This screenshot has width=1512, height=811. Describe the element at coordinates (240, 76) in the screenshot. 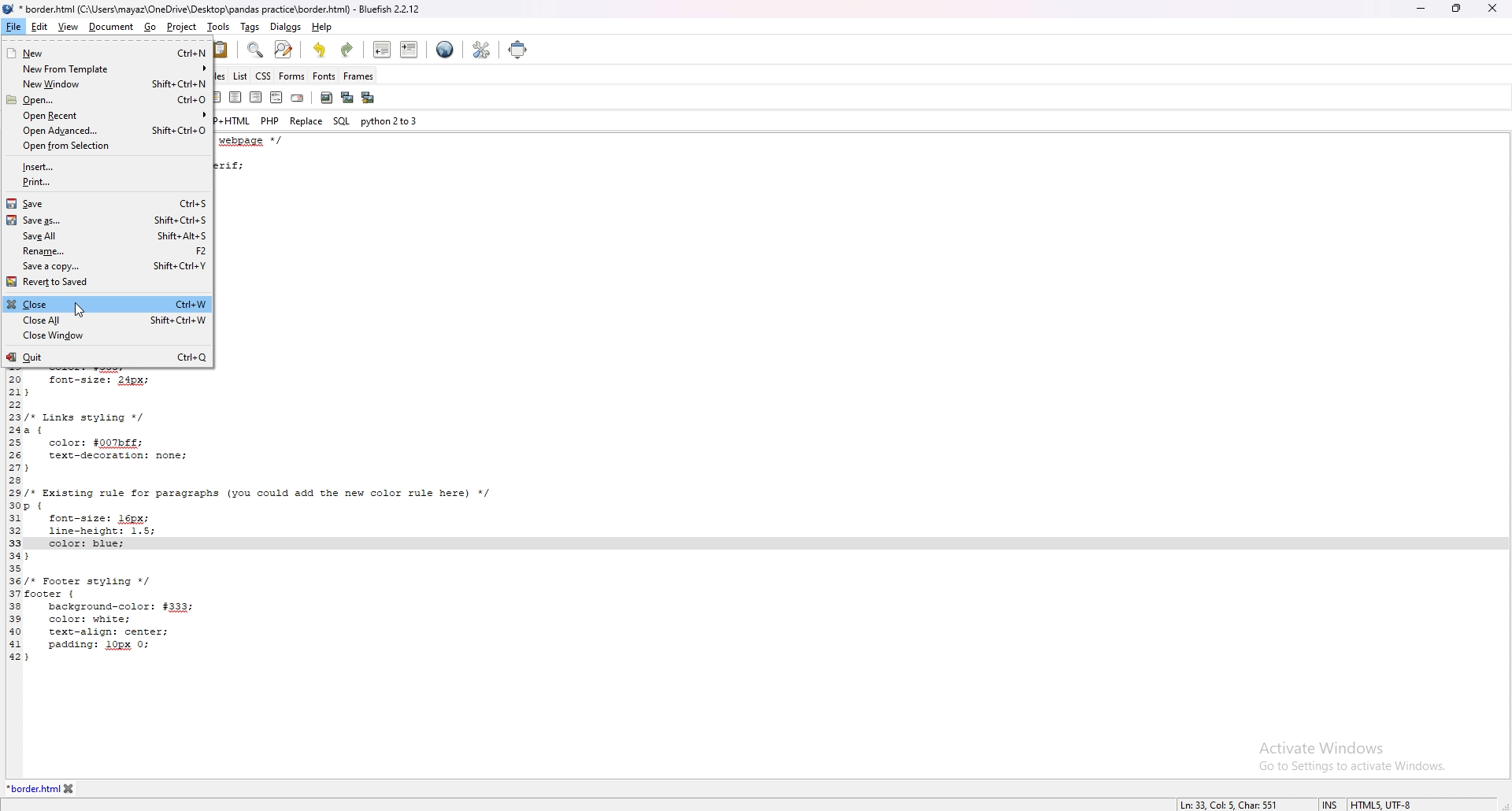

I see `list` at that location.